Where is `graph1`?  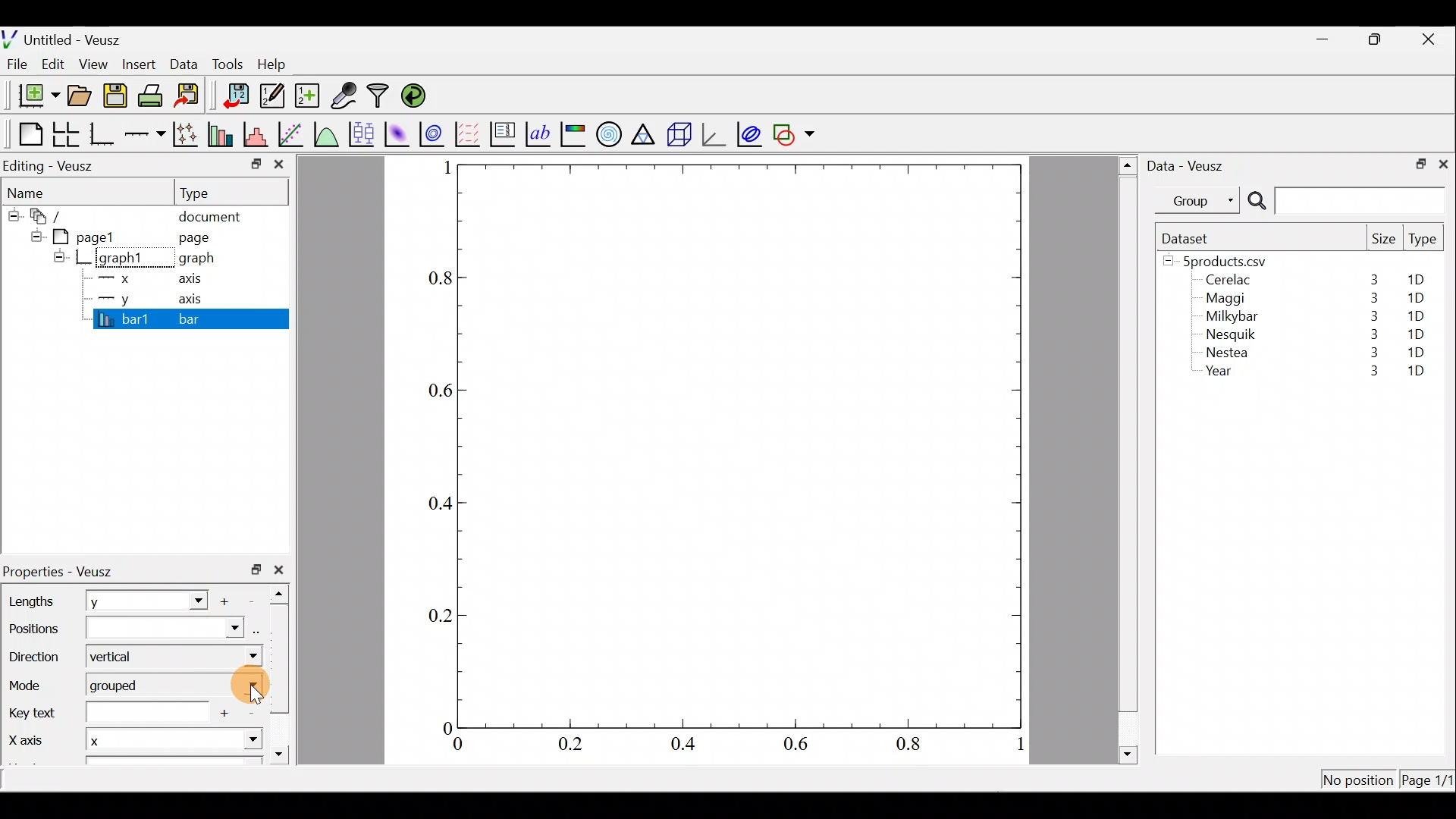
graph1 is located at coordinates (121, 259).